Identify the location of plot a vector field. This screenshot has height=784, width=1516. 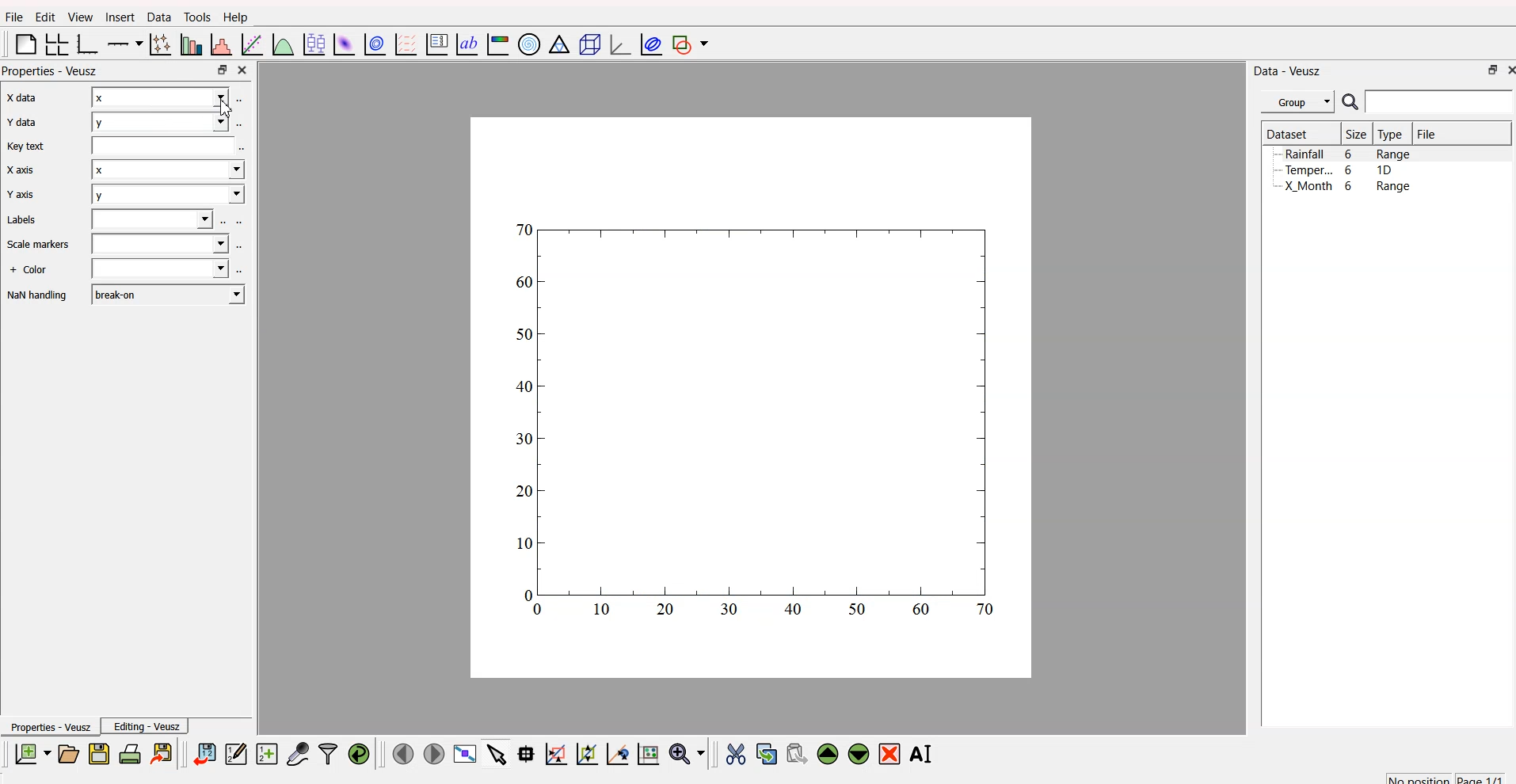
(404, 45).